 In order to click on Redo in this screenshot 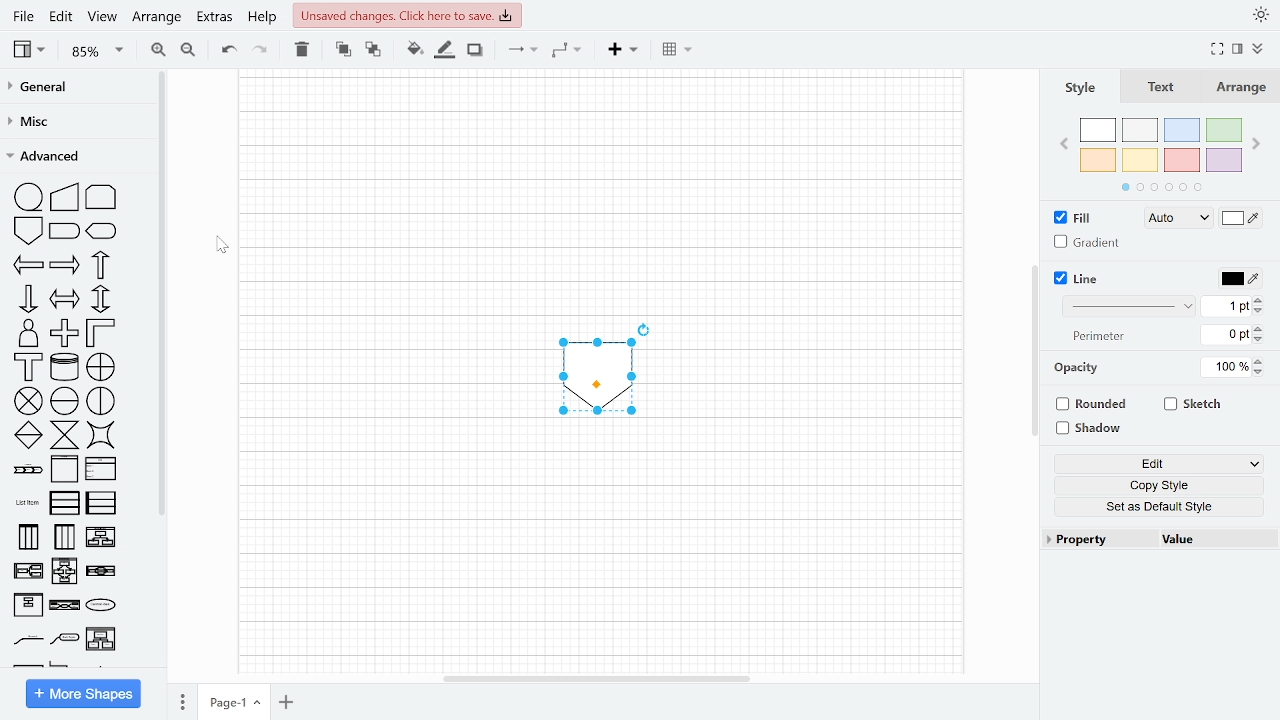, I will do `click(259, 52)`.